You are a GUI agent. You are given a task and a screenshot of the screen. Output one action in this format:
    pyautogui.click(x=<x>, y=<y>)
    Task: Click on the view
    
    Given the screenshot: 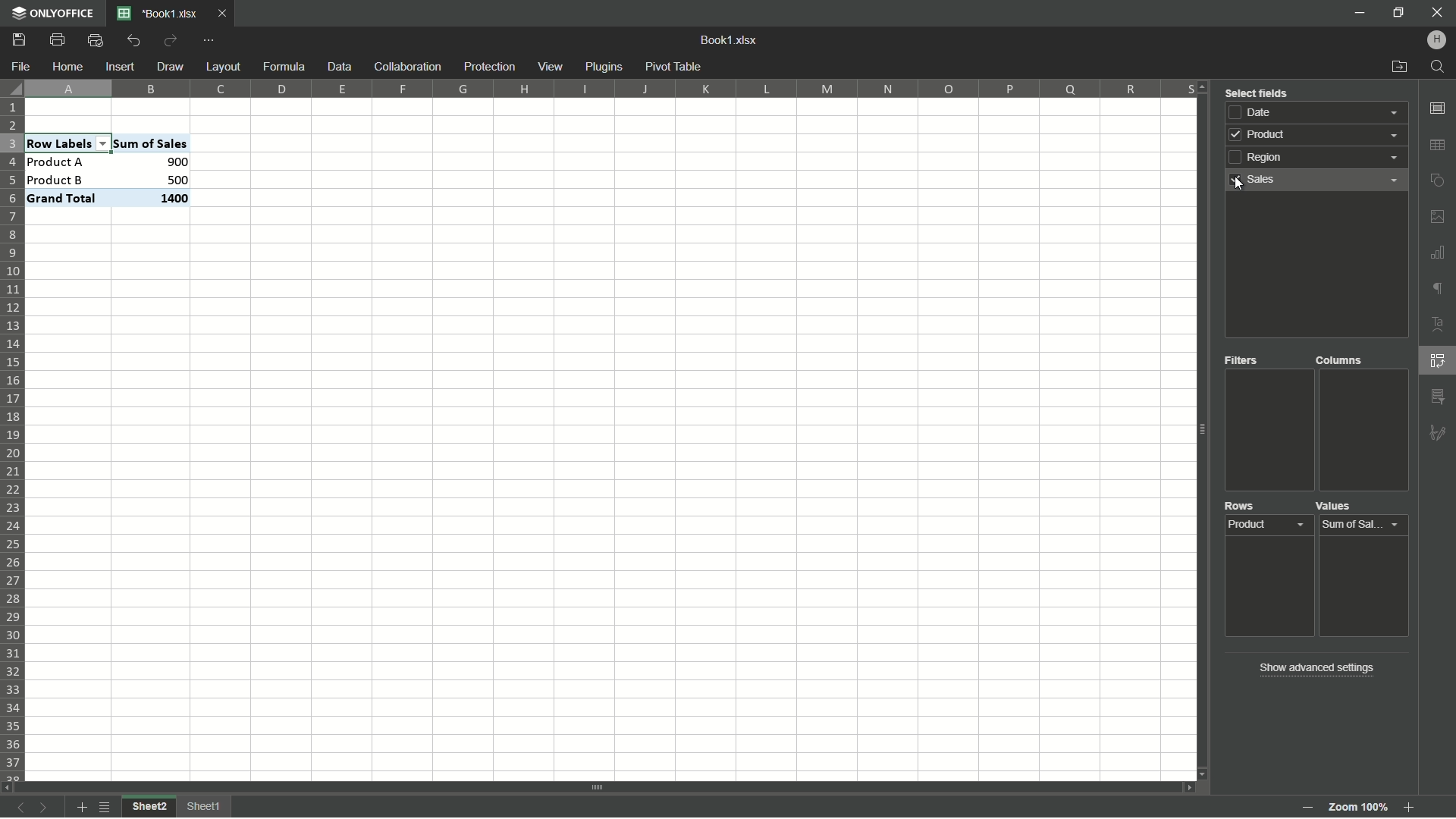 What is the action you would take?
    pyautogui.click(x=551, y=67)
    